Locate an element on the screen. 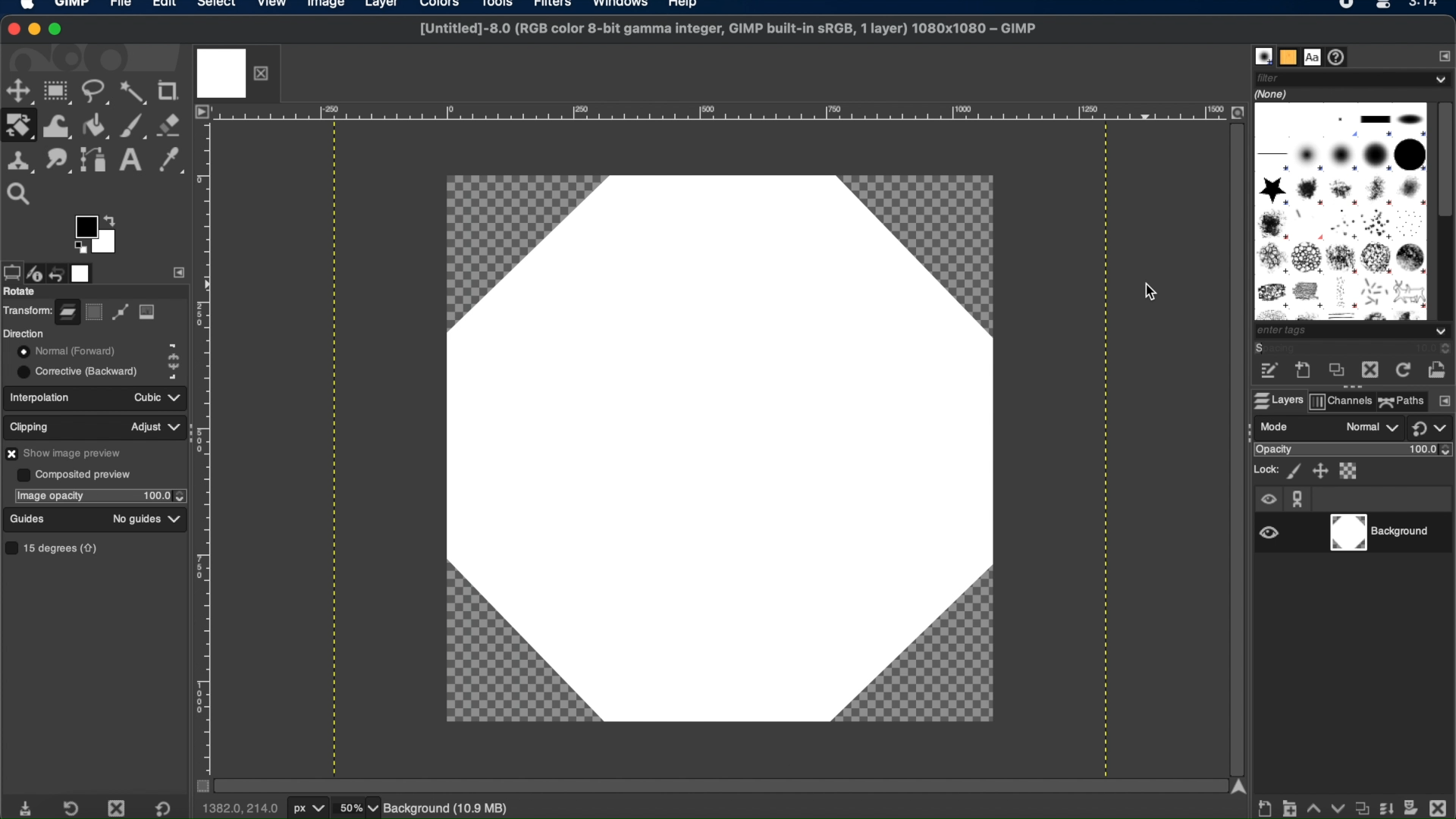  background is located at coordinates (458, 808).